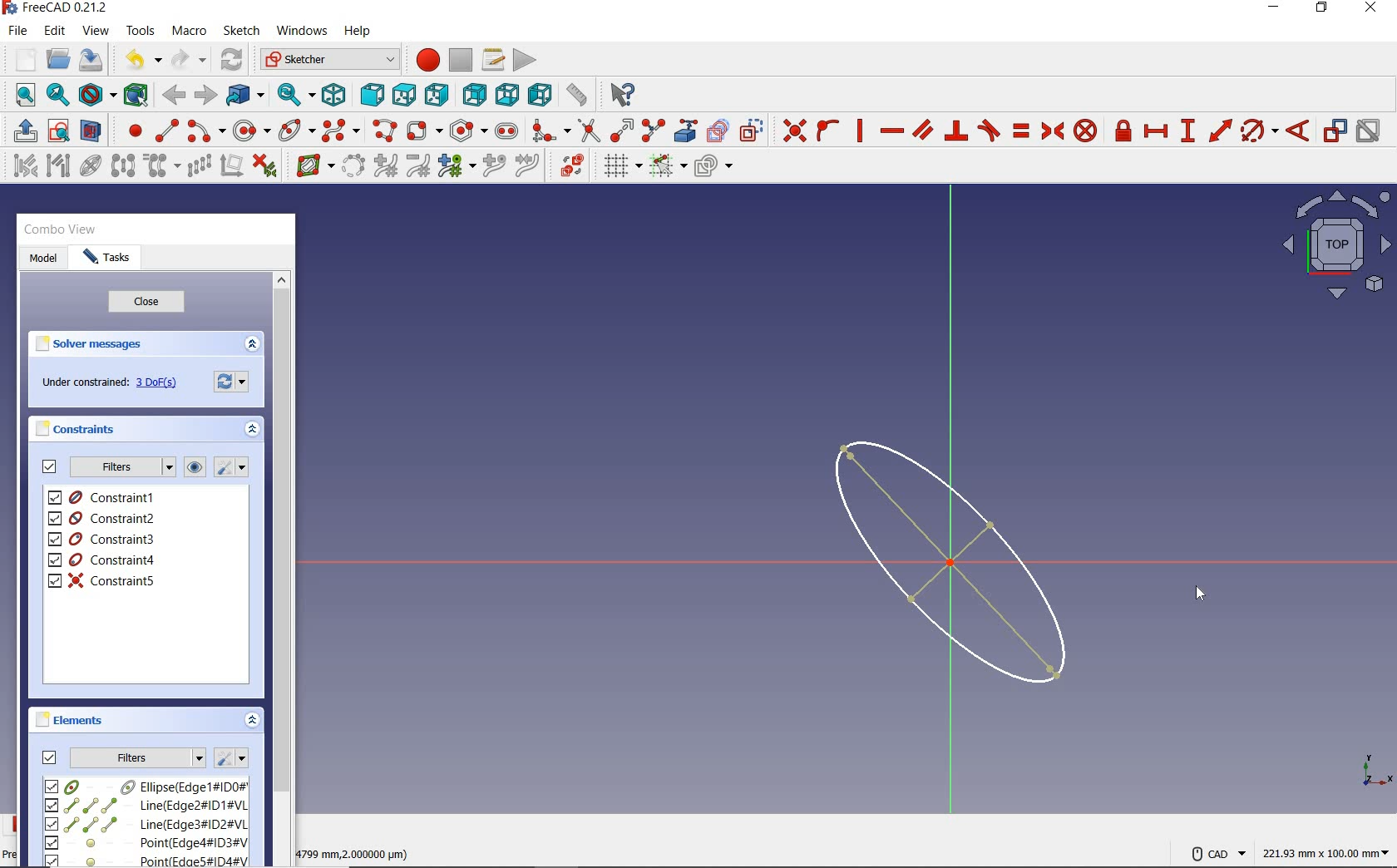 The image size is (1397, 868). I want to click on elements, so click(72, 719).